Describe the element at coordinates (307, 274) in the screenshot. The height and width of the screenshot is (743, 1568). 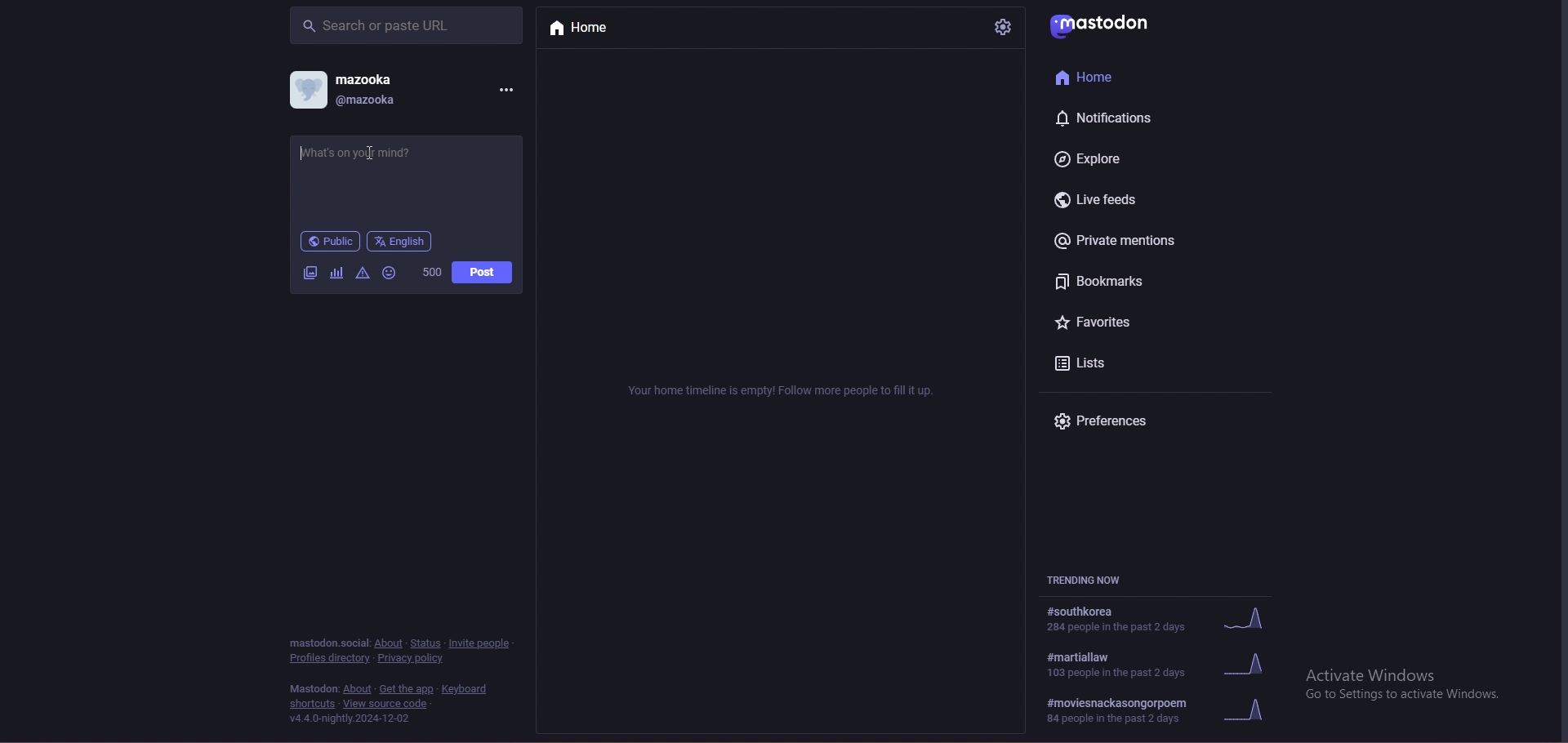
I see `image` at that location.